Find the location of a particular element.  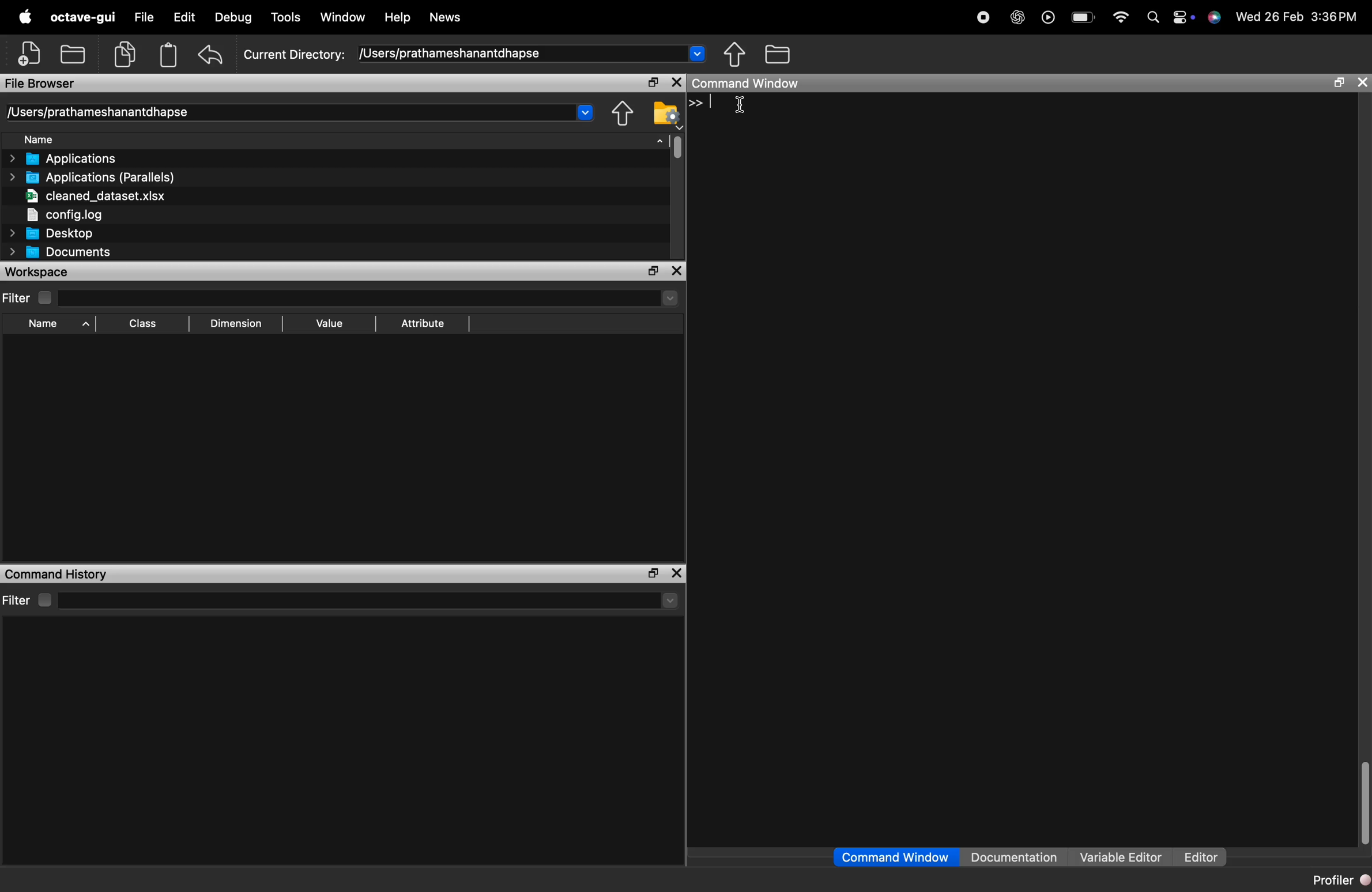

octave-gui is located at coordinates (84, 17).